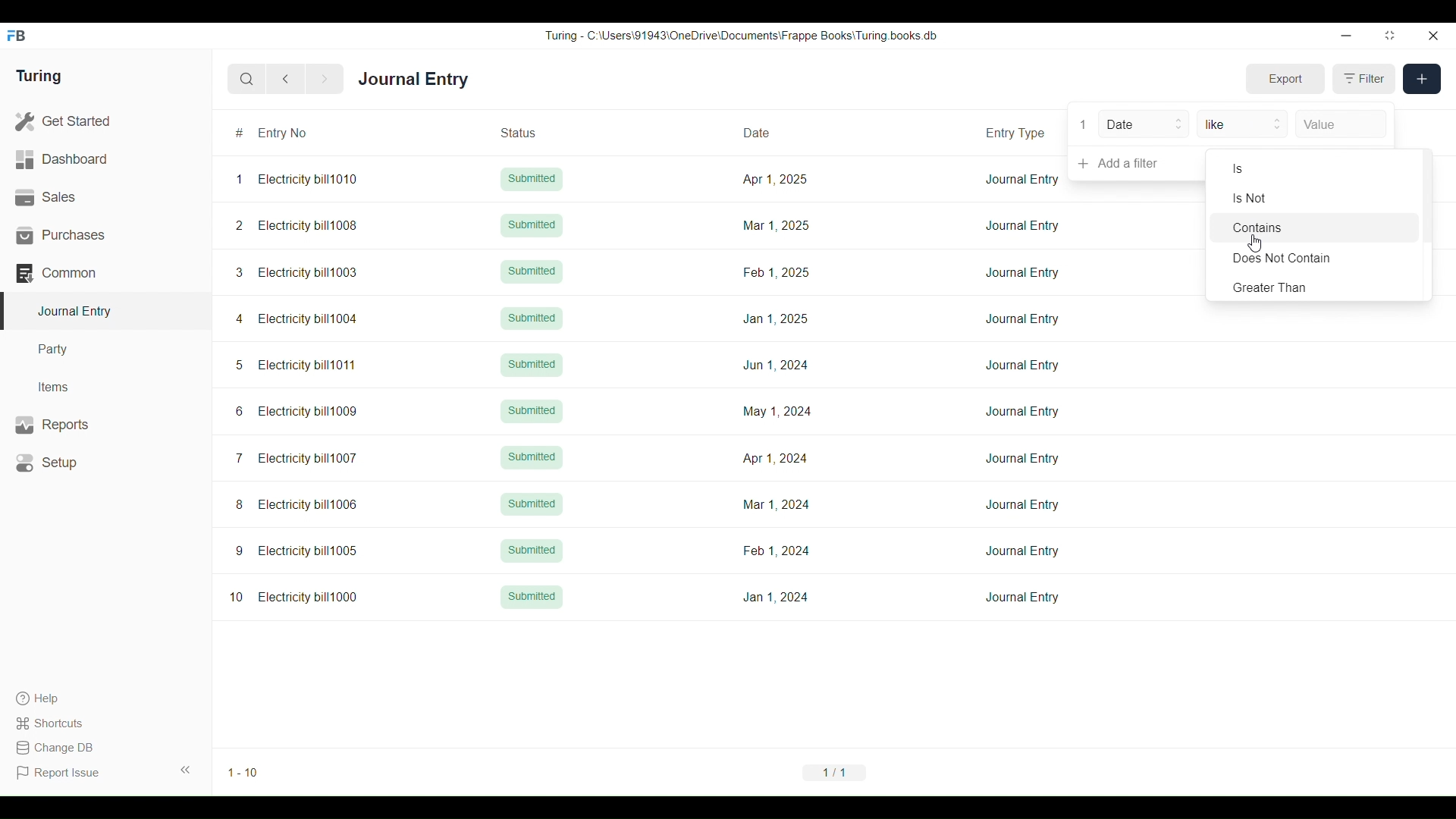 This screenshot has width=1456, height=819. I want to click on Common, so click(105, 273).